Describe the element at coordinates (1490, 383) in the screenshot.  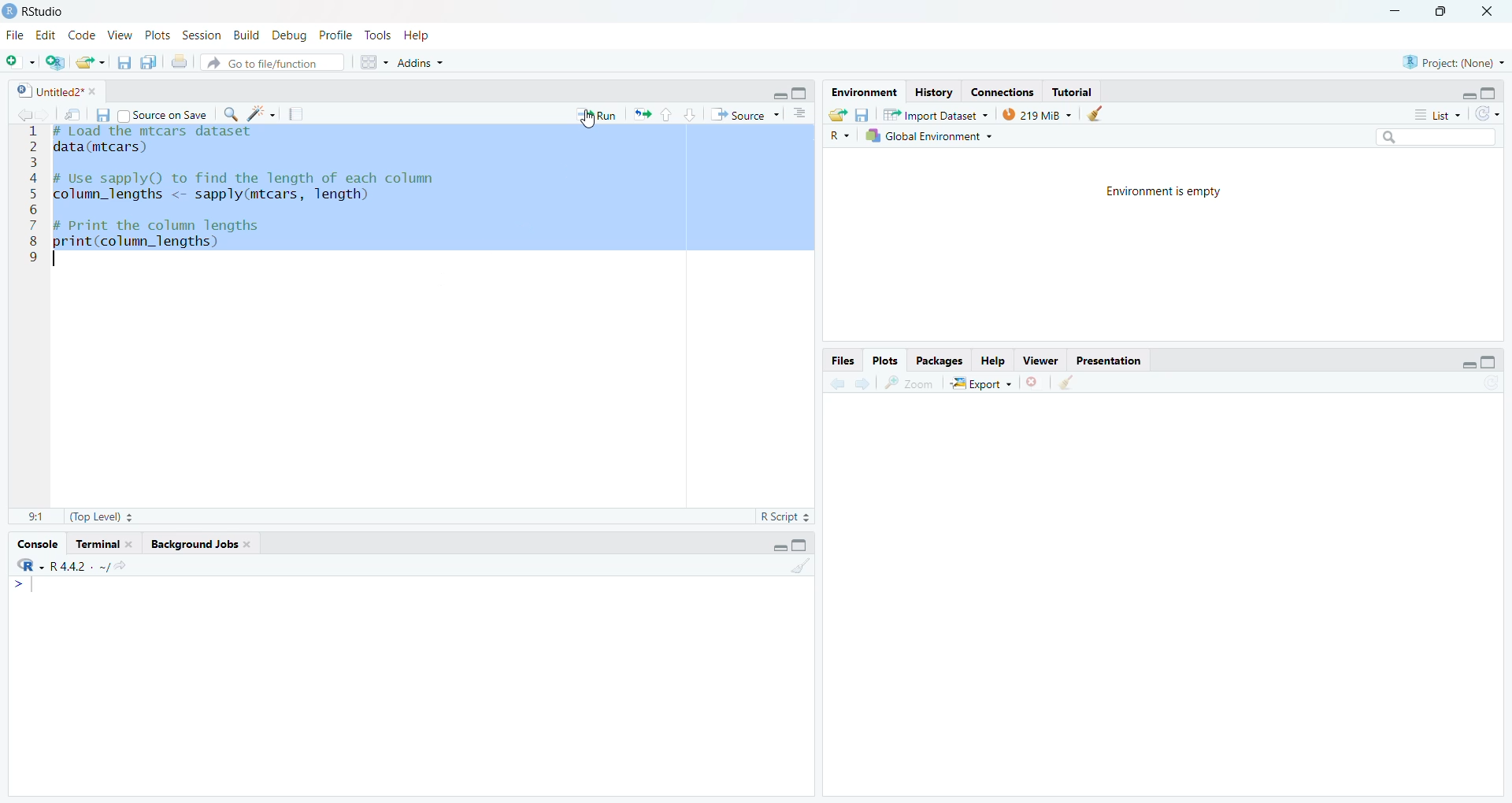
I see `Refresh list` at that location.